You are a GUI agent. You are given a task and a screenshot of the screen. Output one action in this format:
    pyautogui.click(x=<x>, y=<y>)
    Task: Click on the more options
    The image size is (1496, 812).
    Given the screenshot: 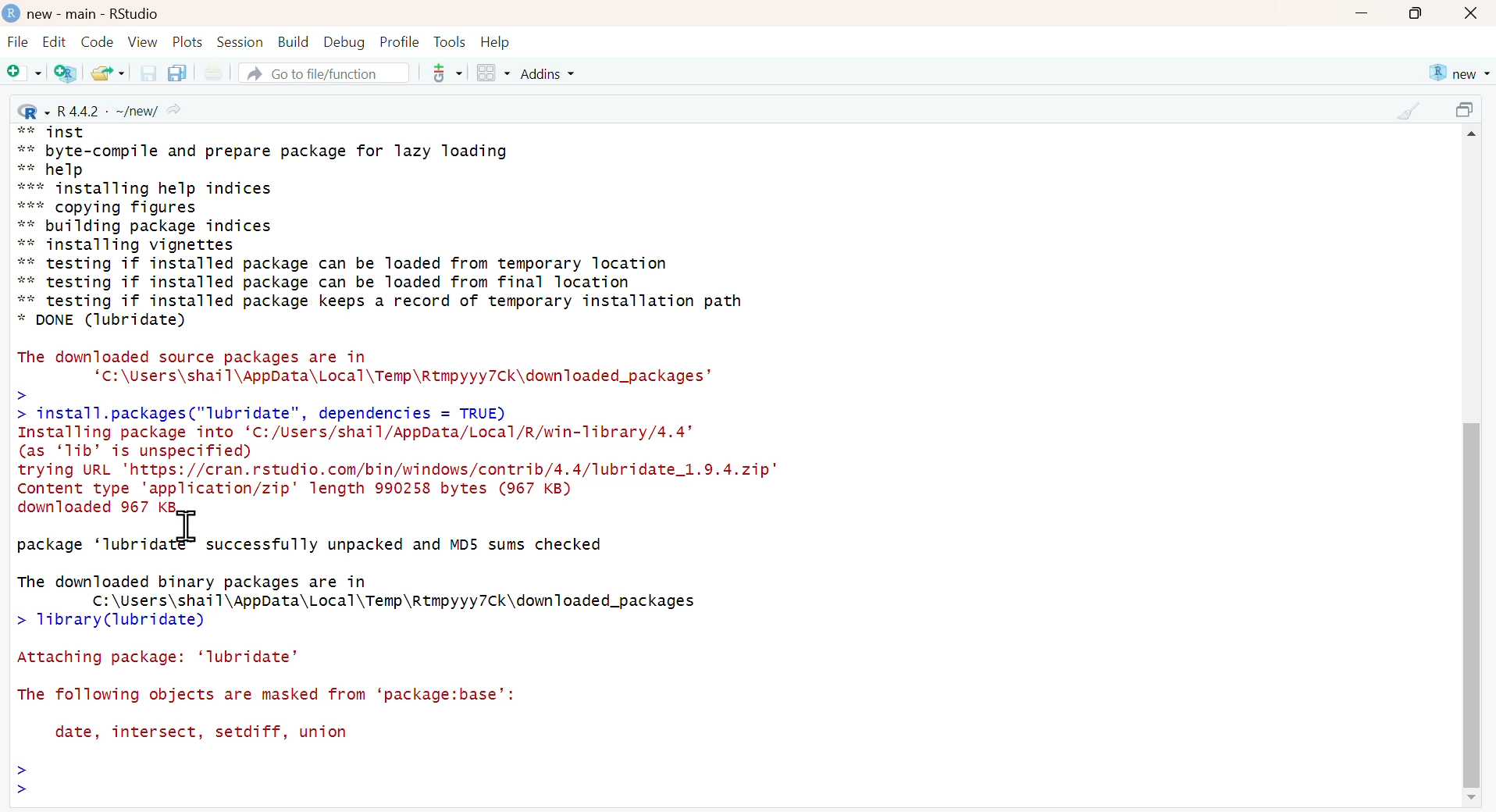 What is the action you would take?
    pyautogui.click(x=442, y=73)
    